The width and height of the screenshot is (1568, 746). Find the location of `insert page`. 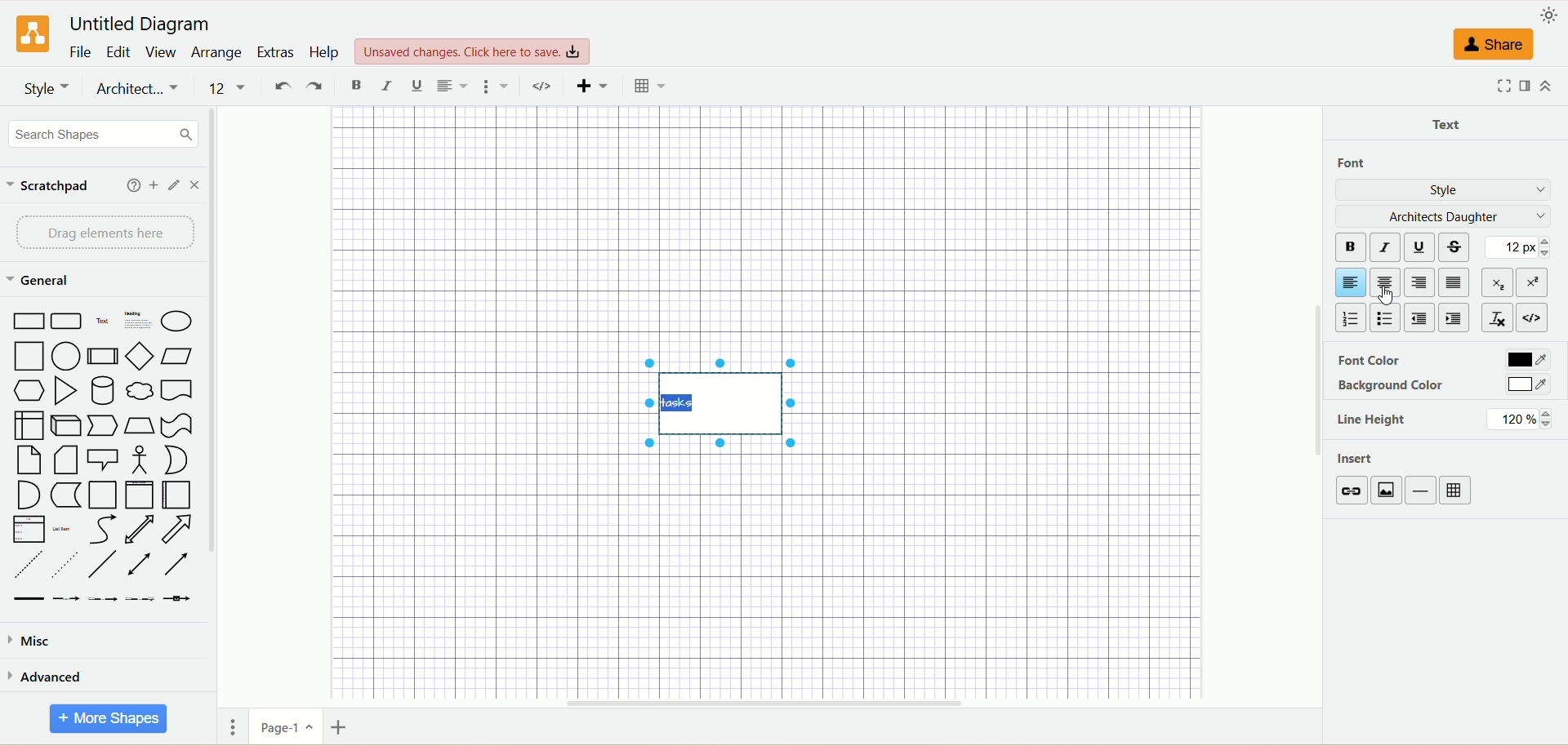

insert page is located at coordinates (344, 730).